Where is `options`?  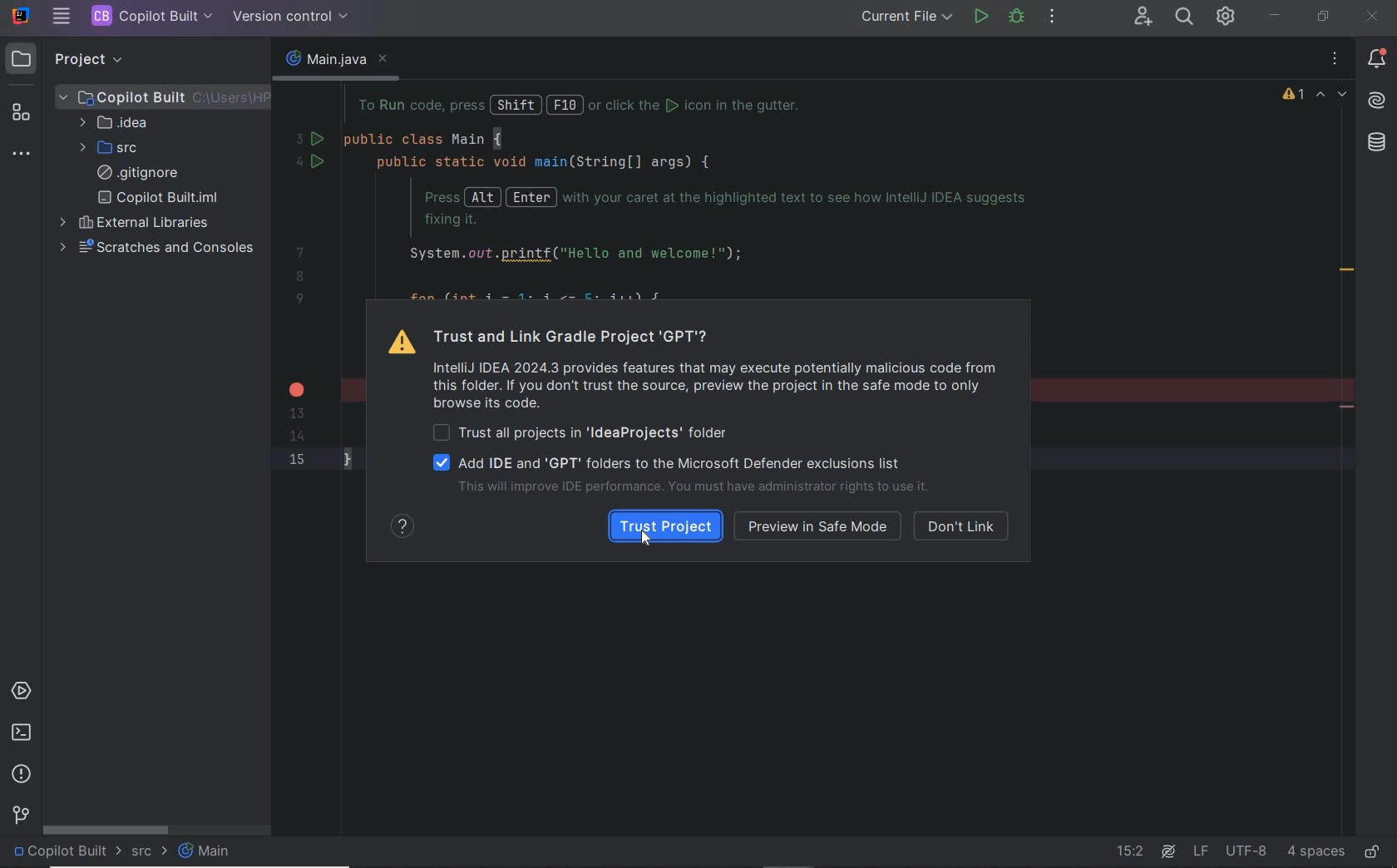 options is located at coordinates (1335, 61).